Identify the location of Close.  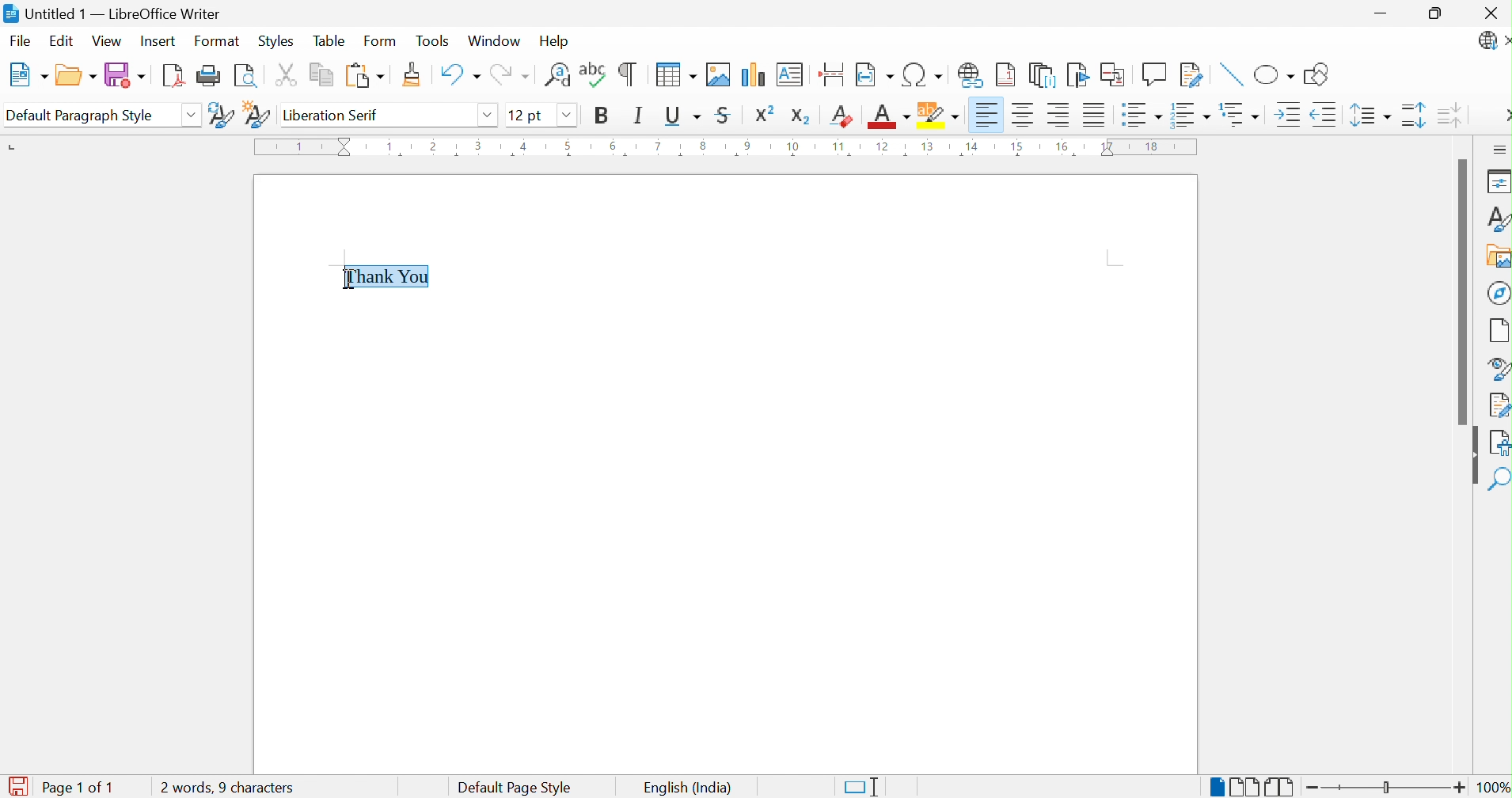
(1488, 12).